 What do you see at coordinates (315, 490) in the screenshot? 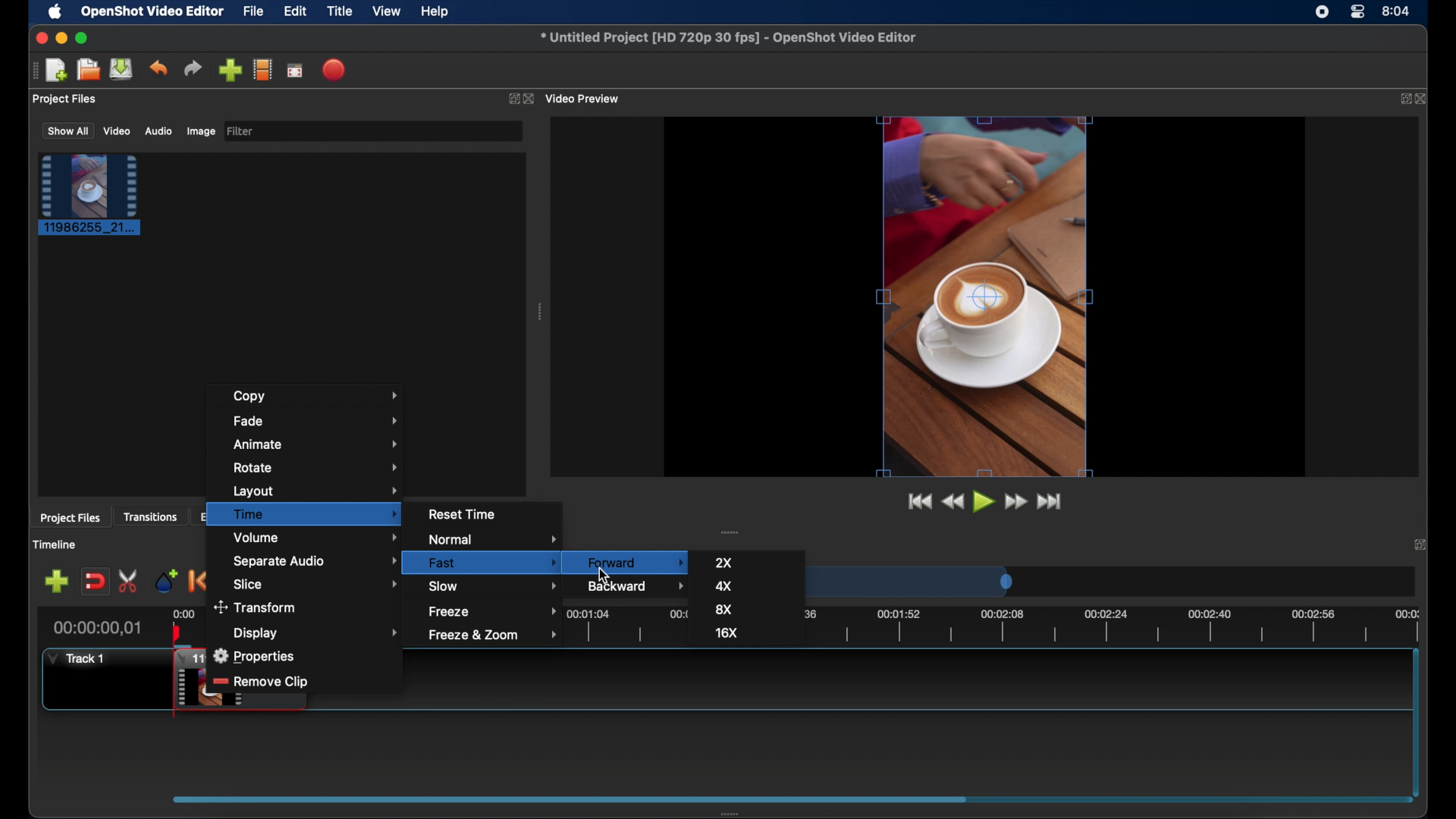
I see `layoutmenu` at bounding box center [315, 490].